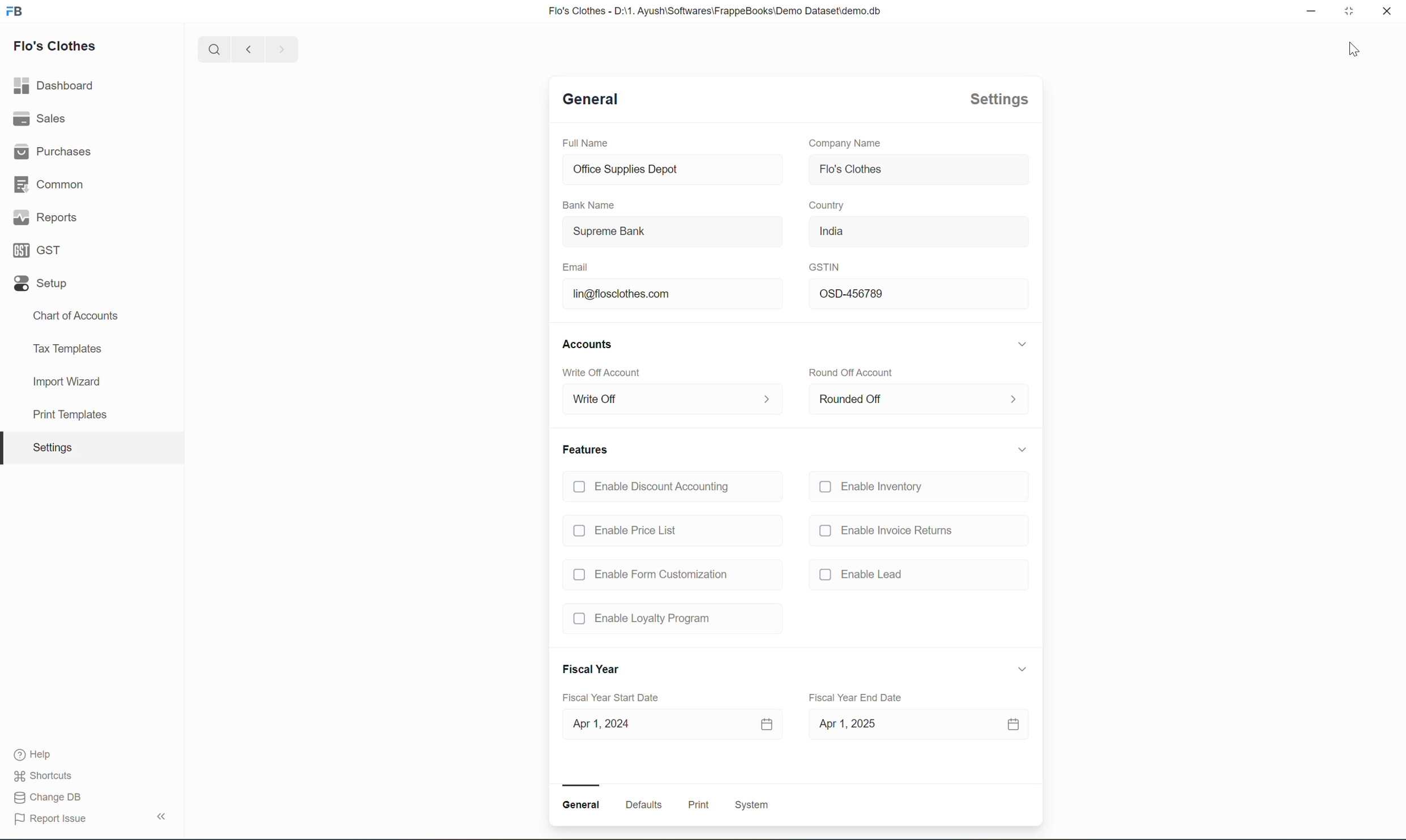  Describe the element at coordinates (627, 530) in the screenshot. I see `Enable Price List` at that location.